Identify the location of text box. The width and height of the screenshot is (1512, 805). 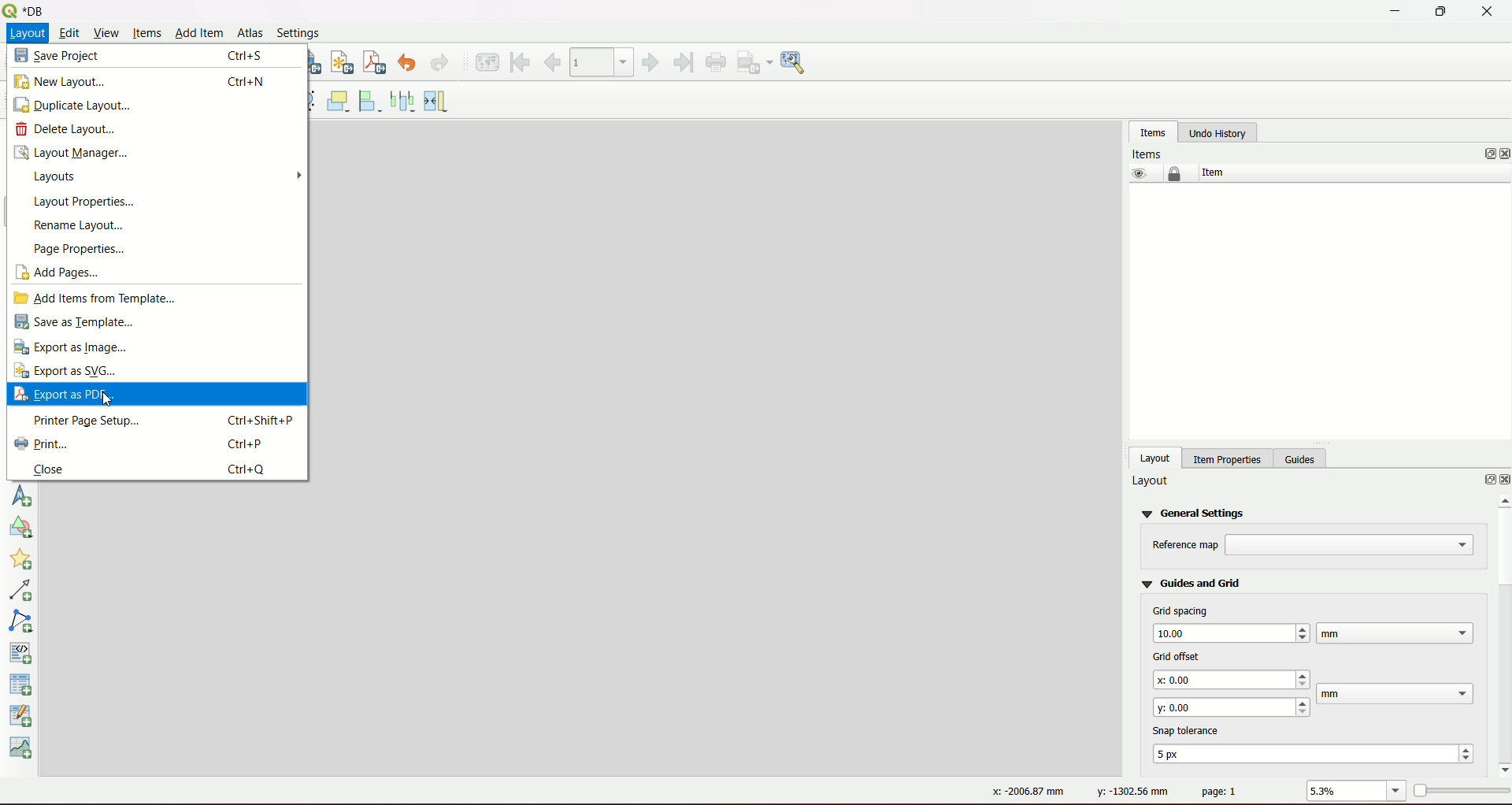
(1233, 680).